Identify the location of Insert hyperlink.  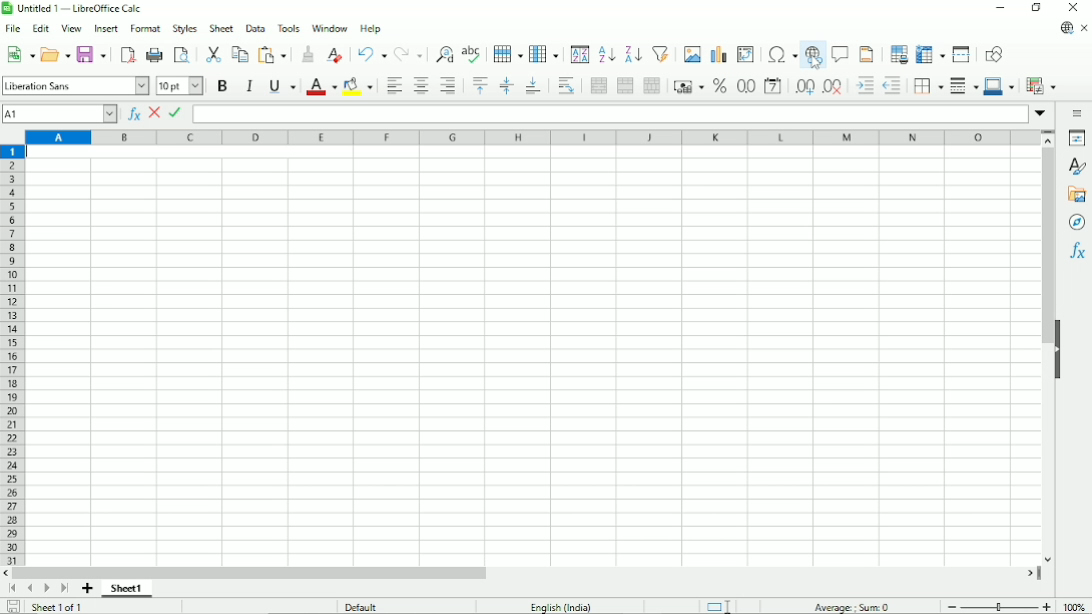
(813, 56).